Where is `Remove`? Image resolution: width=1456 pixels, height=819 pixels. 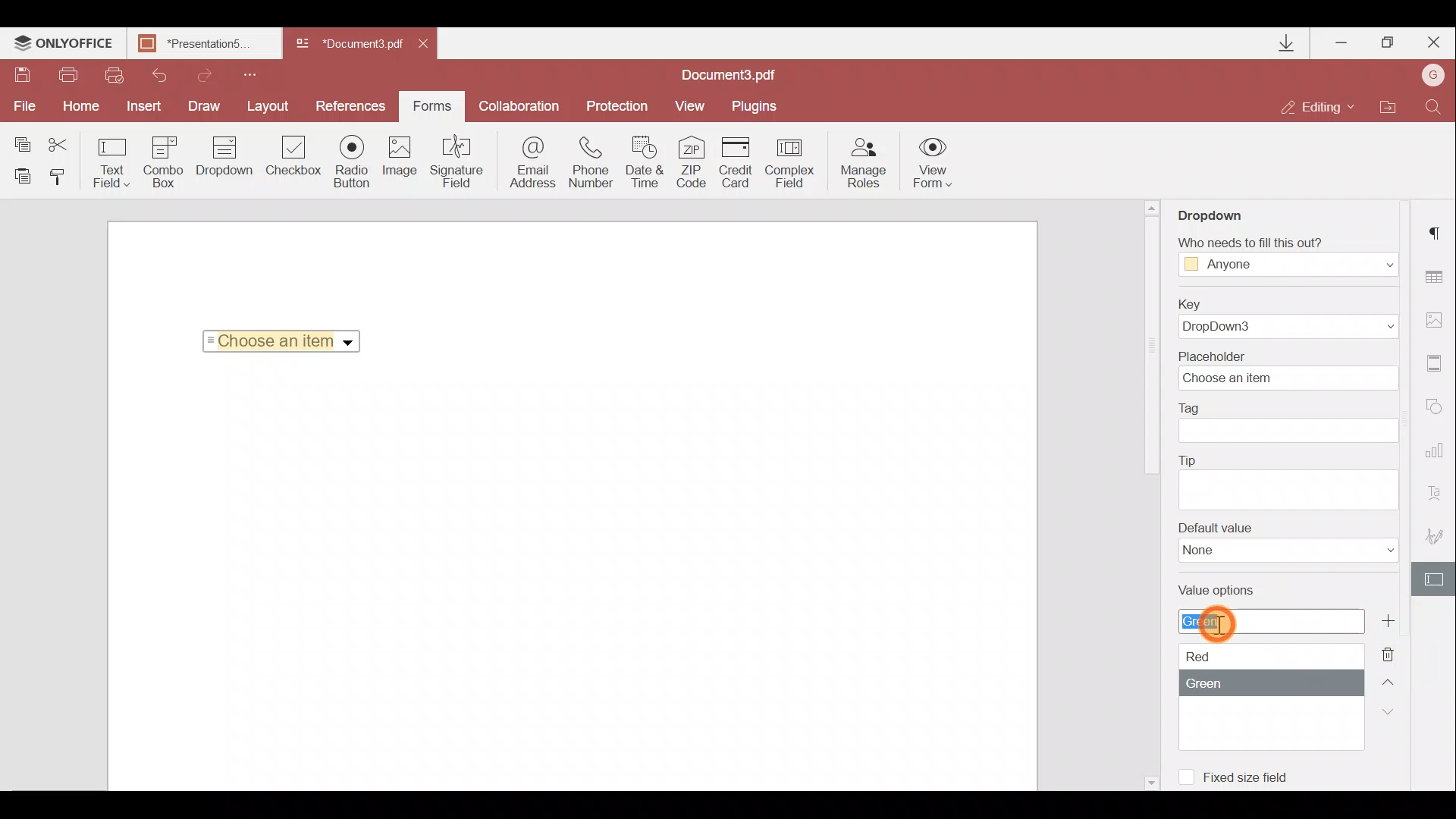
Remove is located at coordinates (1392, 650).